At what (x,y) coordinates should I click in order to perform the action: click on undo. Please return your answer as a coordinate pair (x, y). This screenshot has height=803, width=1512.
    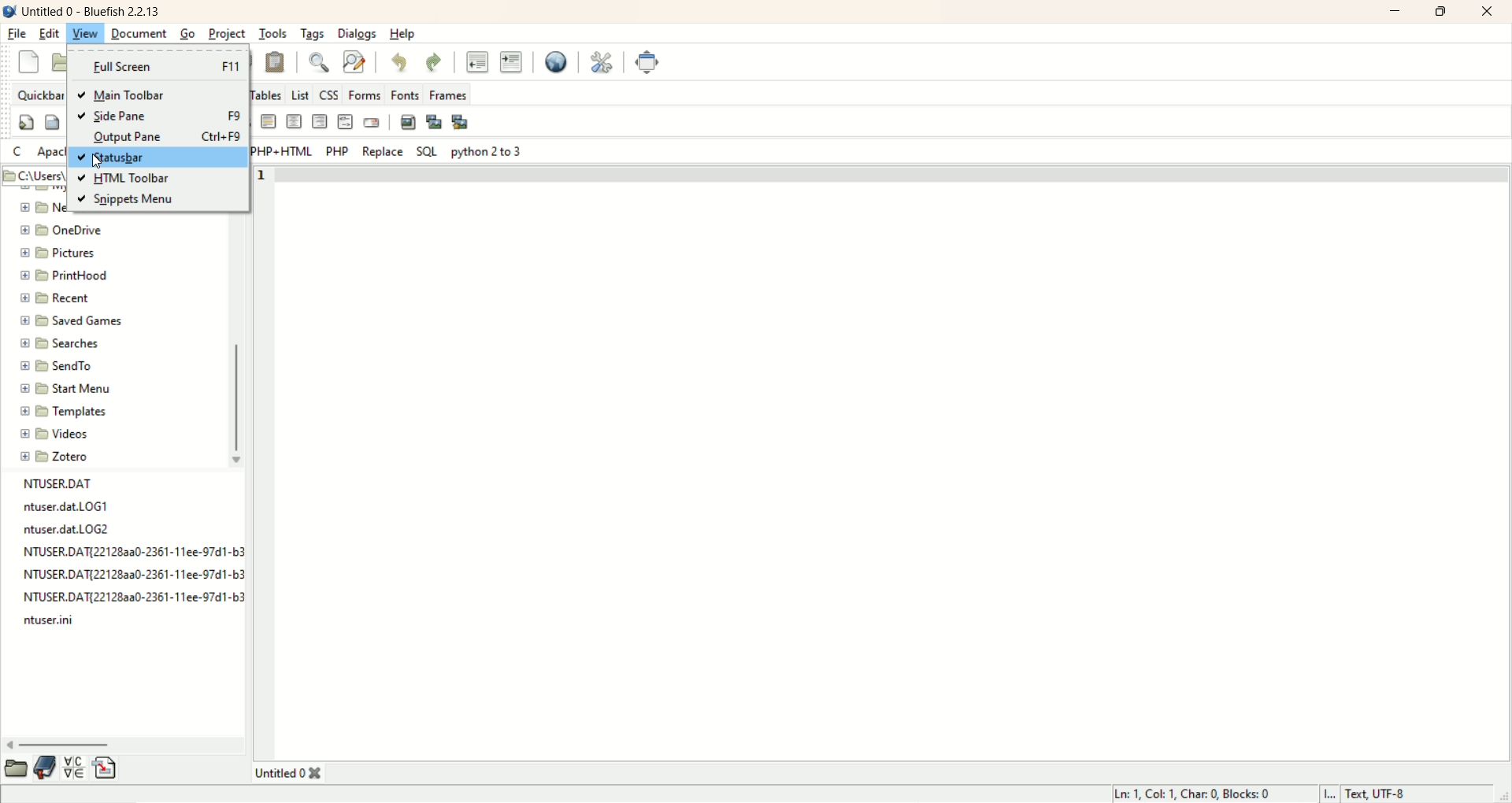
    Looking at the image, I should click on (401, 64).